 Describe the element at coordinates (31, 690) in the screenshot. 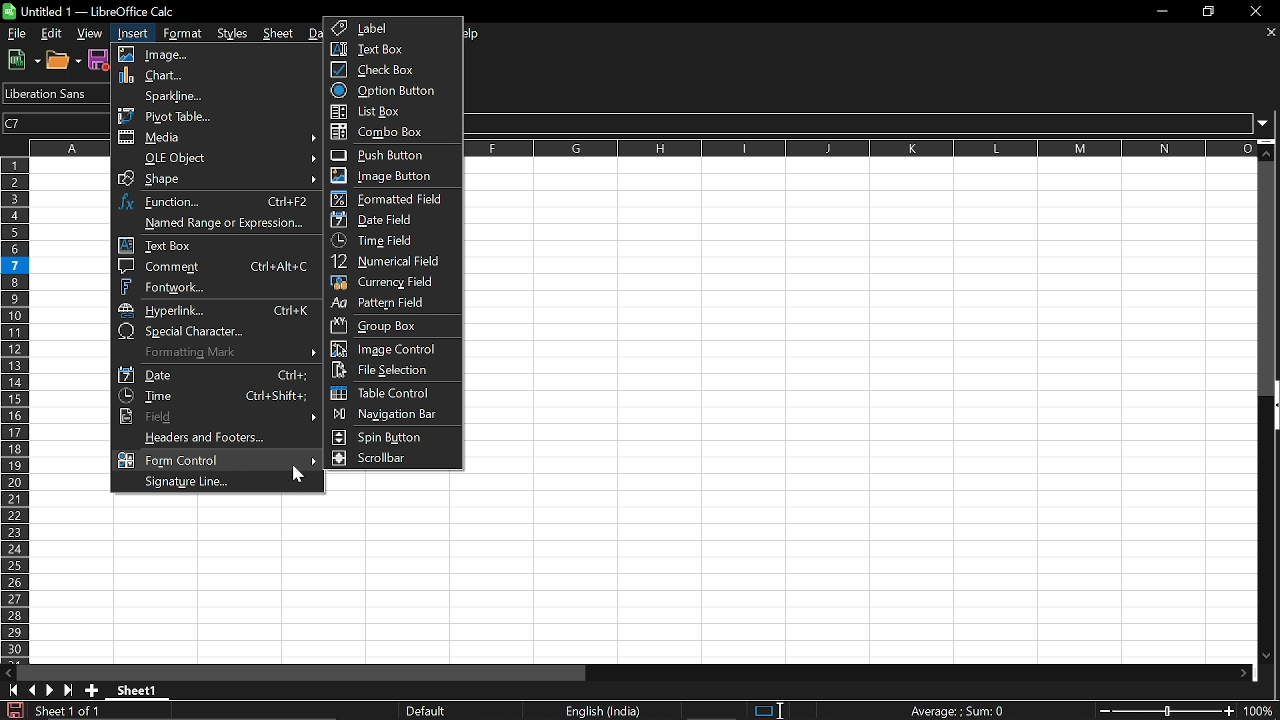

I see `Previous sheet` at that location.